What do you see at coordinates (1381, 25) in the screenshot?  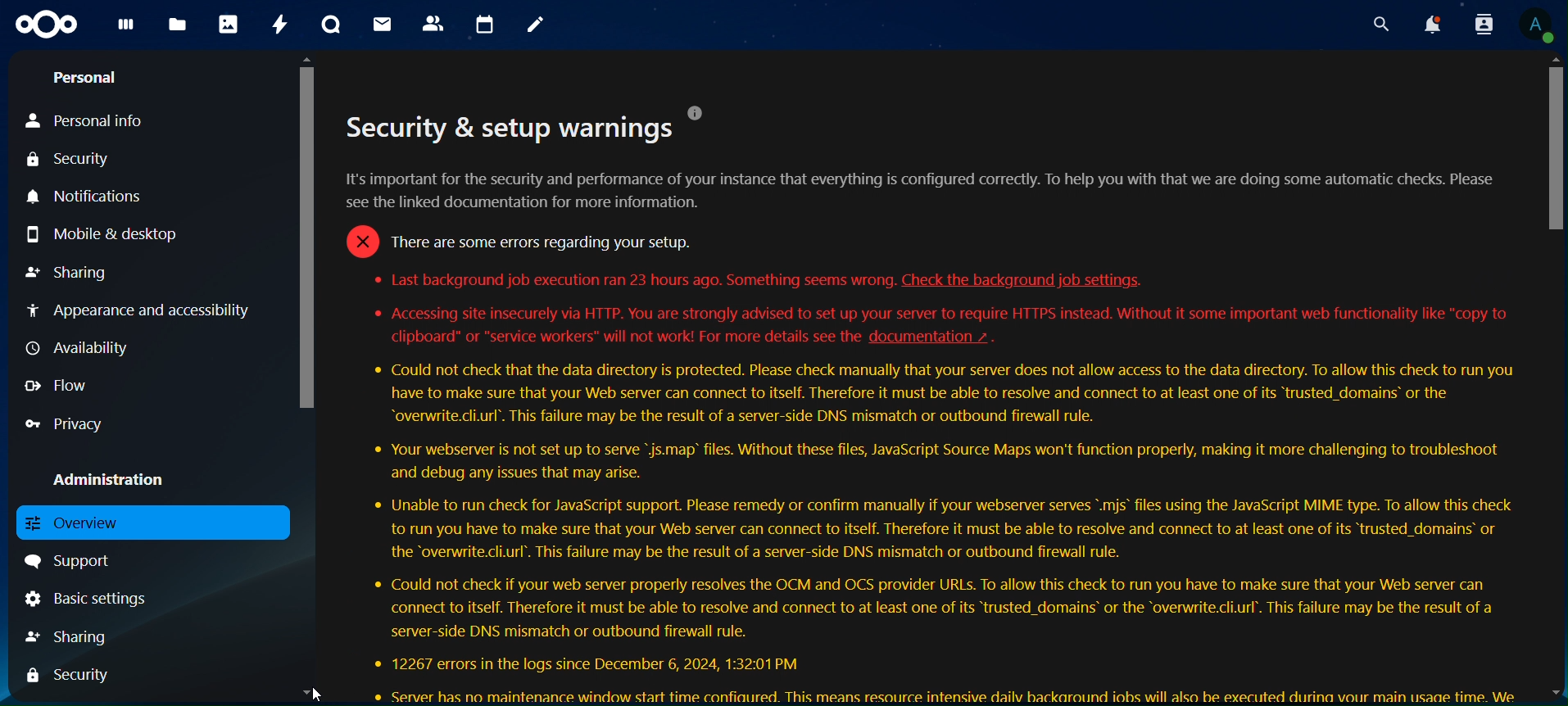 I see `search` at bounding box center [1381, 25].